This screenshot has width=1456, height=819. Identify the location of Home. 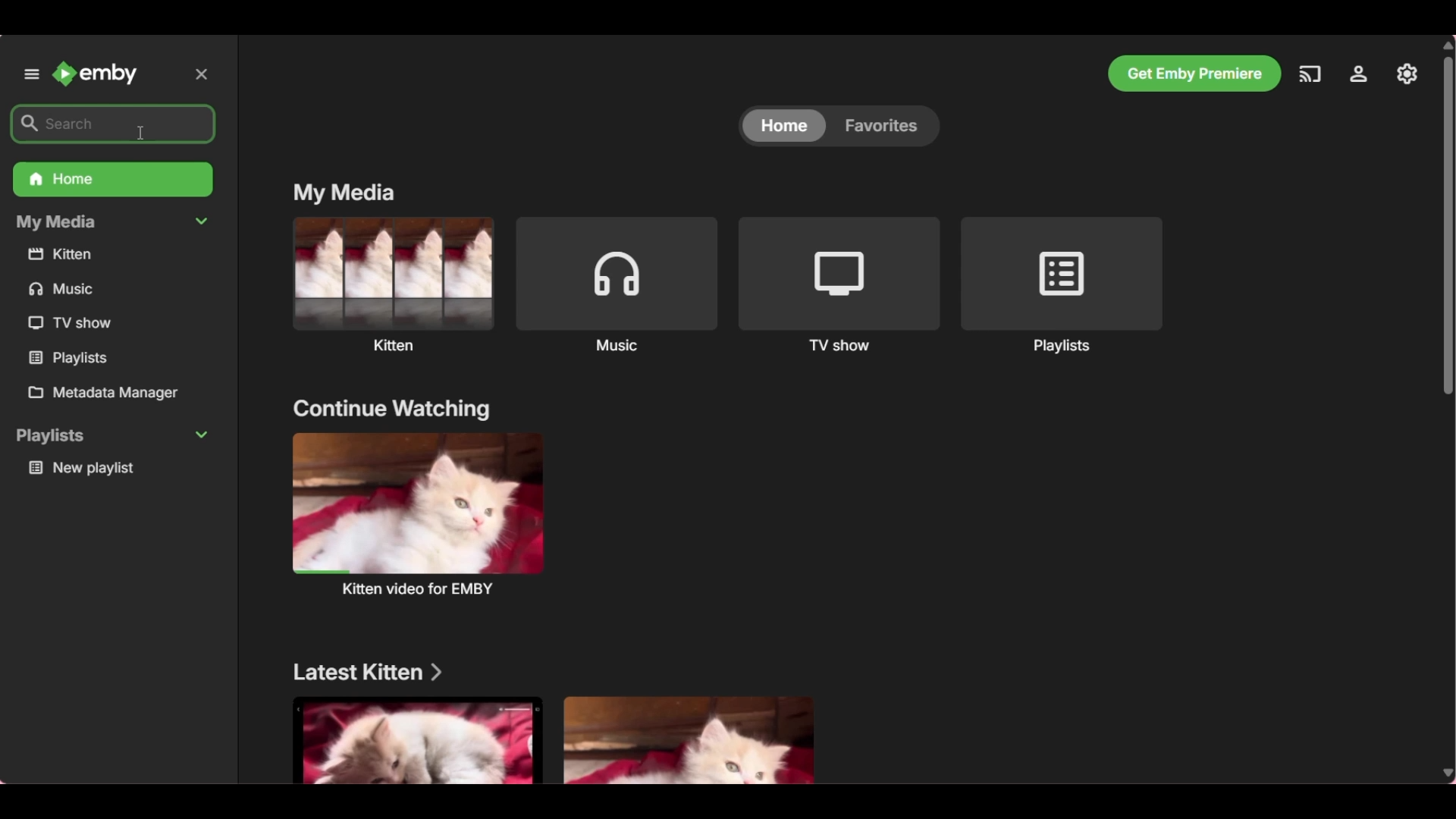
(113, 186).